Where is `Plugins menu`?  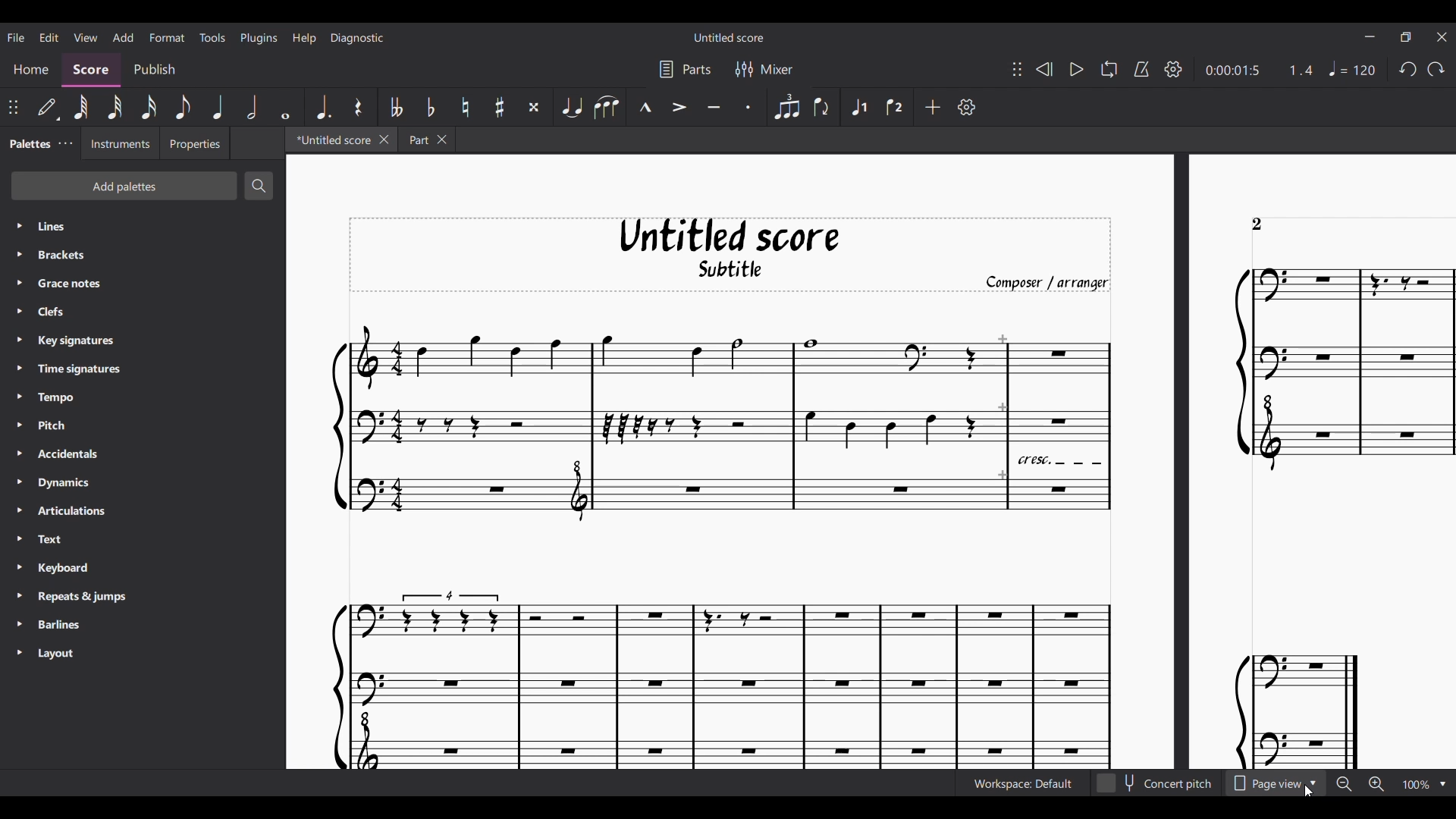 Plugins menu is located at coordinates (259, 38).